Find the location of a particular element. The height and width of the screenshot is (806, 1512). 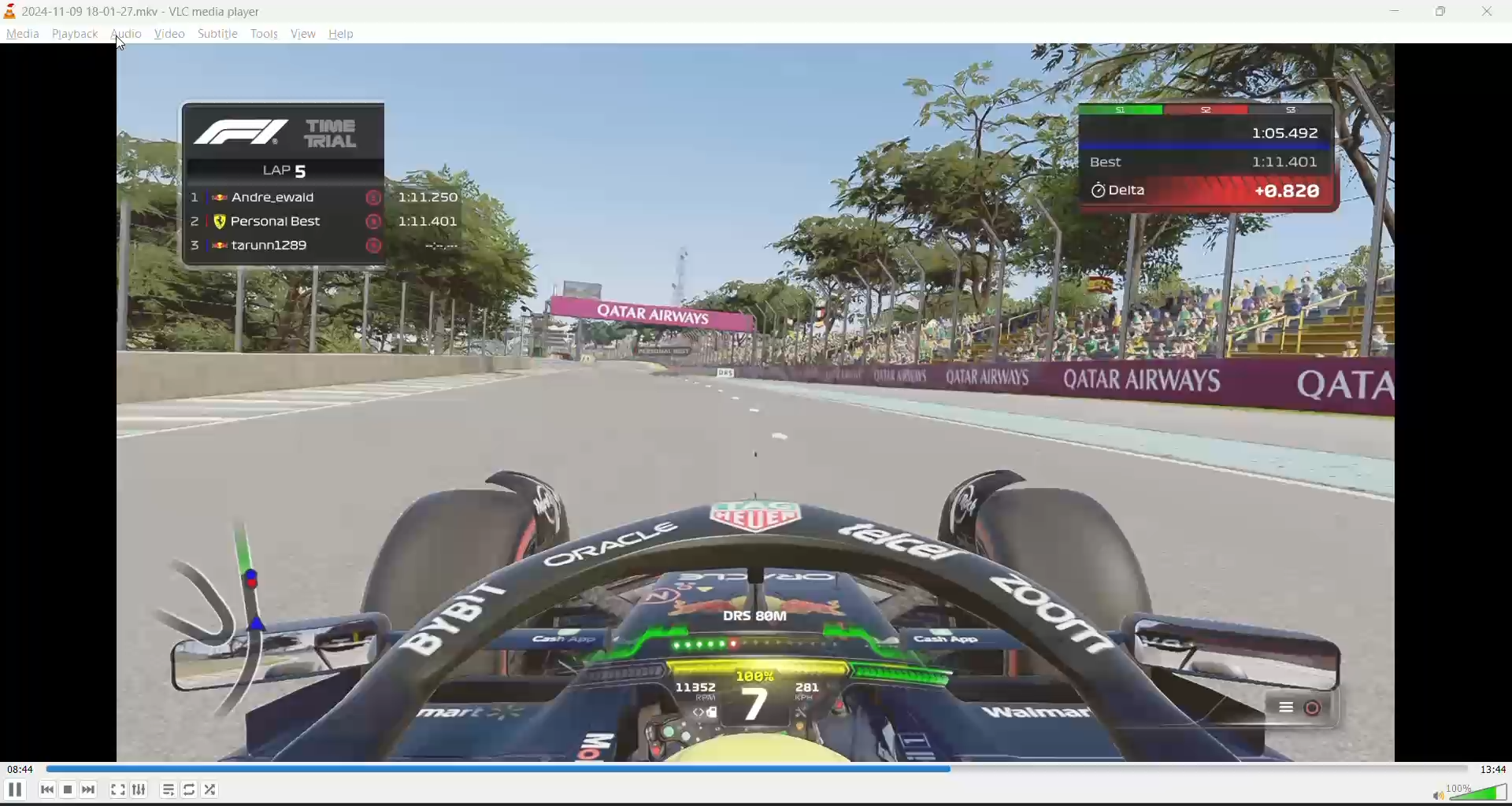

fullscreen is located at coordinates (116, 789).